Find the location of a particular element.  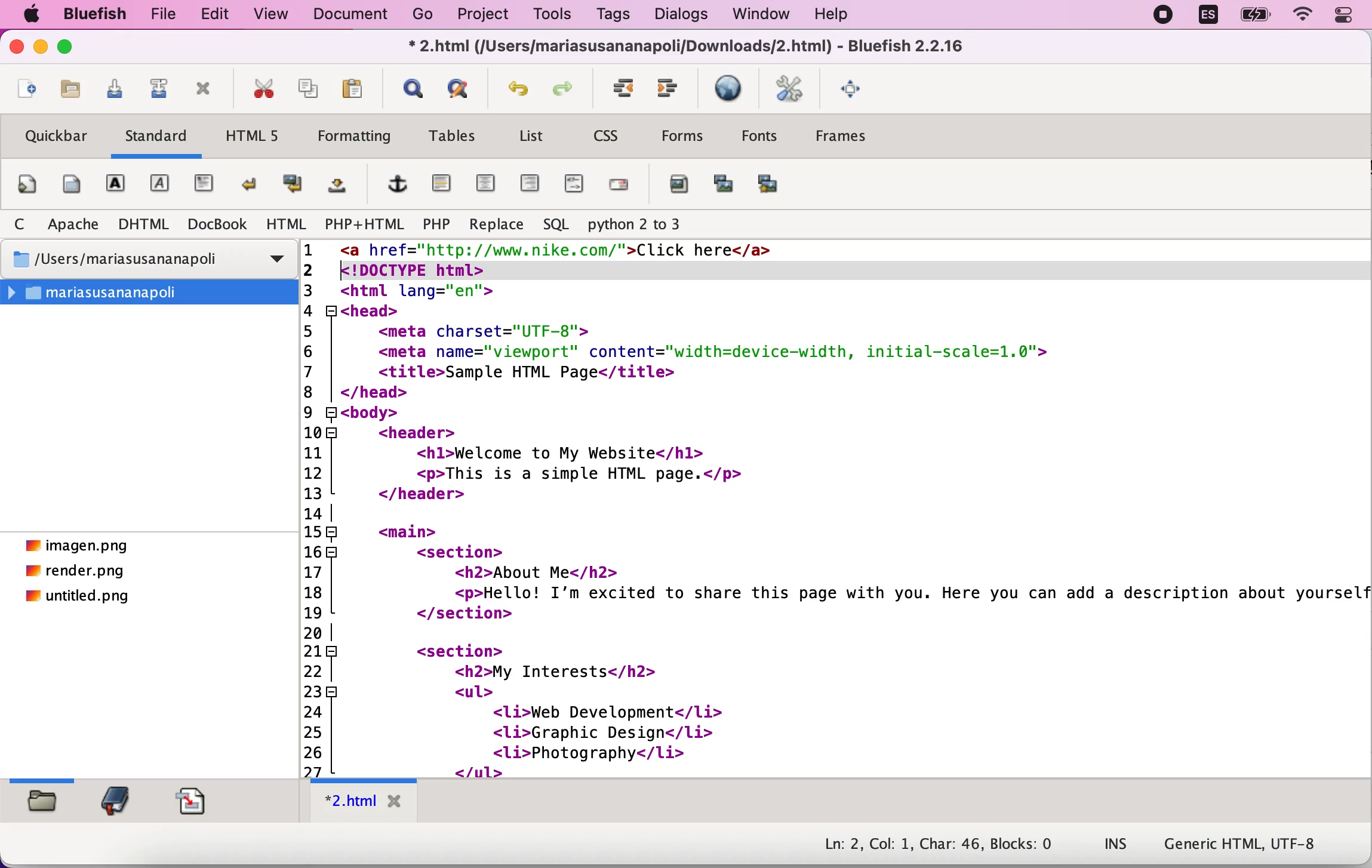

quickbar is located at coordinates (56, 136).